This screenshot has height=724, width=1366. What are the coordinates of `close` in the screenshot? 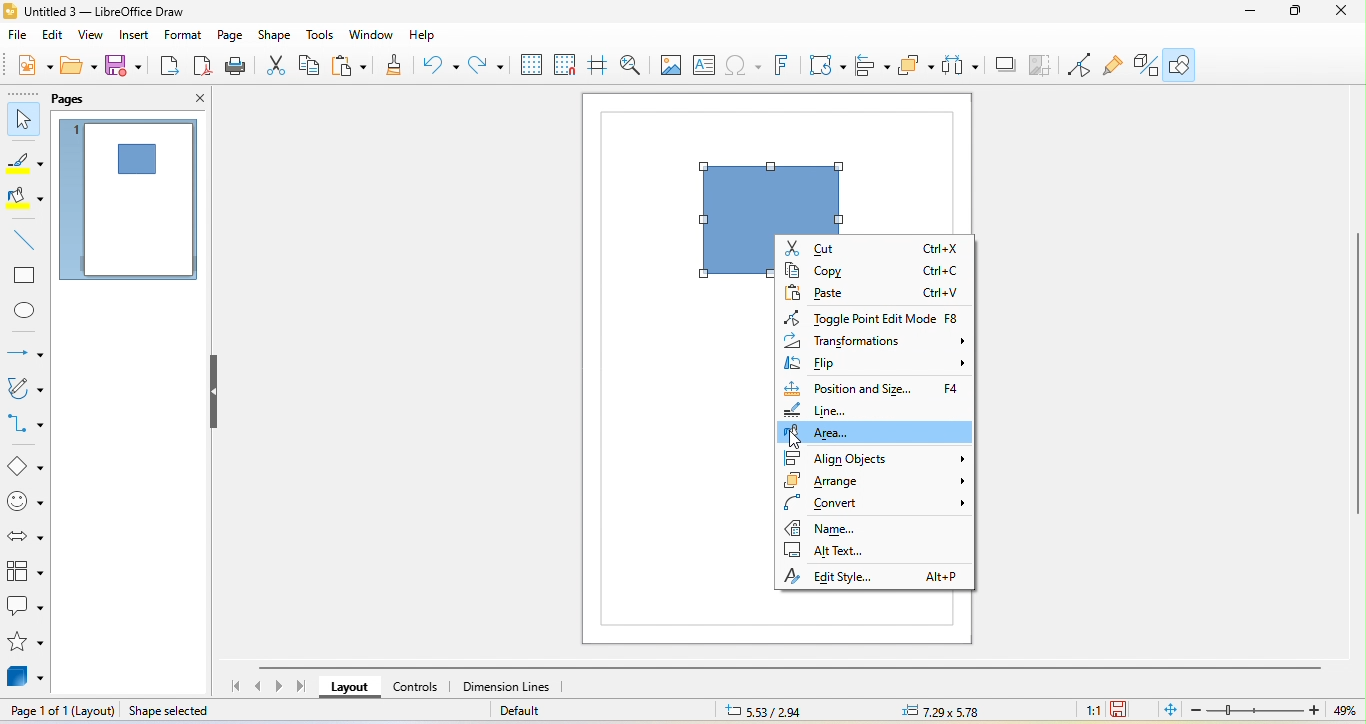 It's located at (1346, 15).